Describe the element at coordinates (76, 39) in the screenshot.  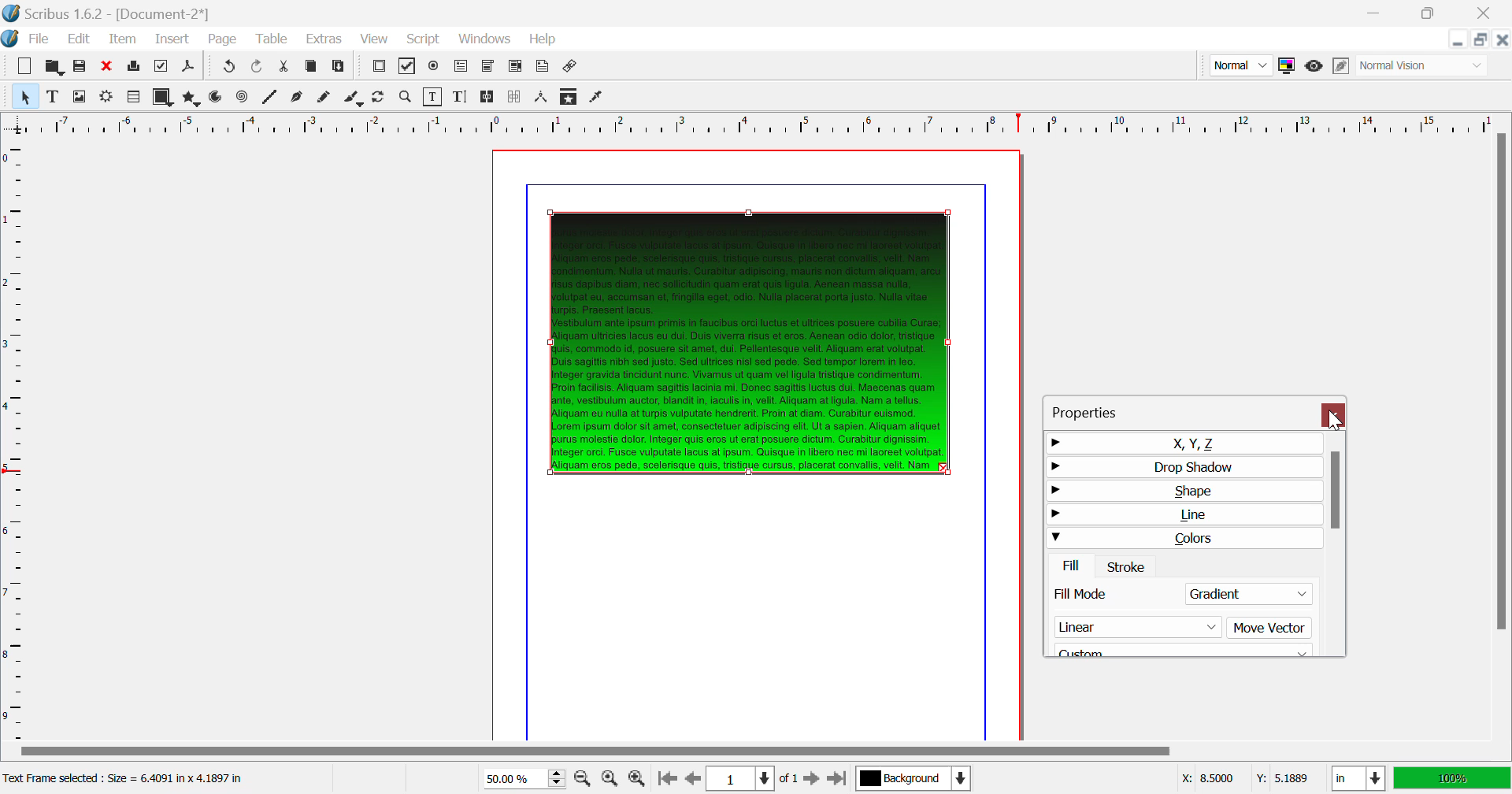
I see `Edit` at that location.